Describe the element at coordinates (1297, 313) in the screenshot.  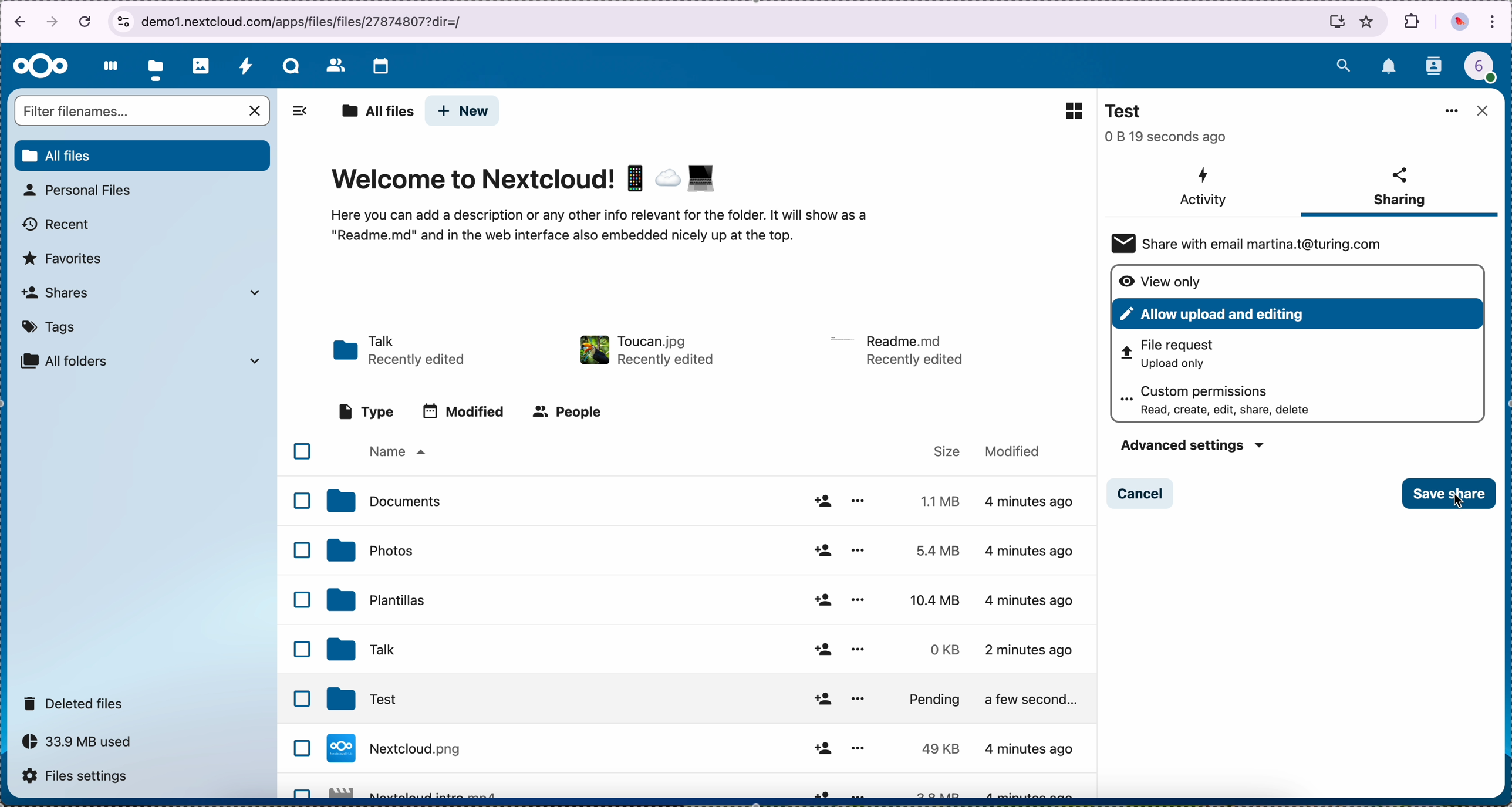
I see `allow upload and editing` at that location.